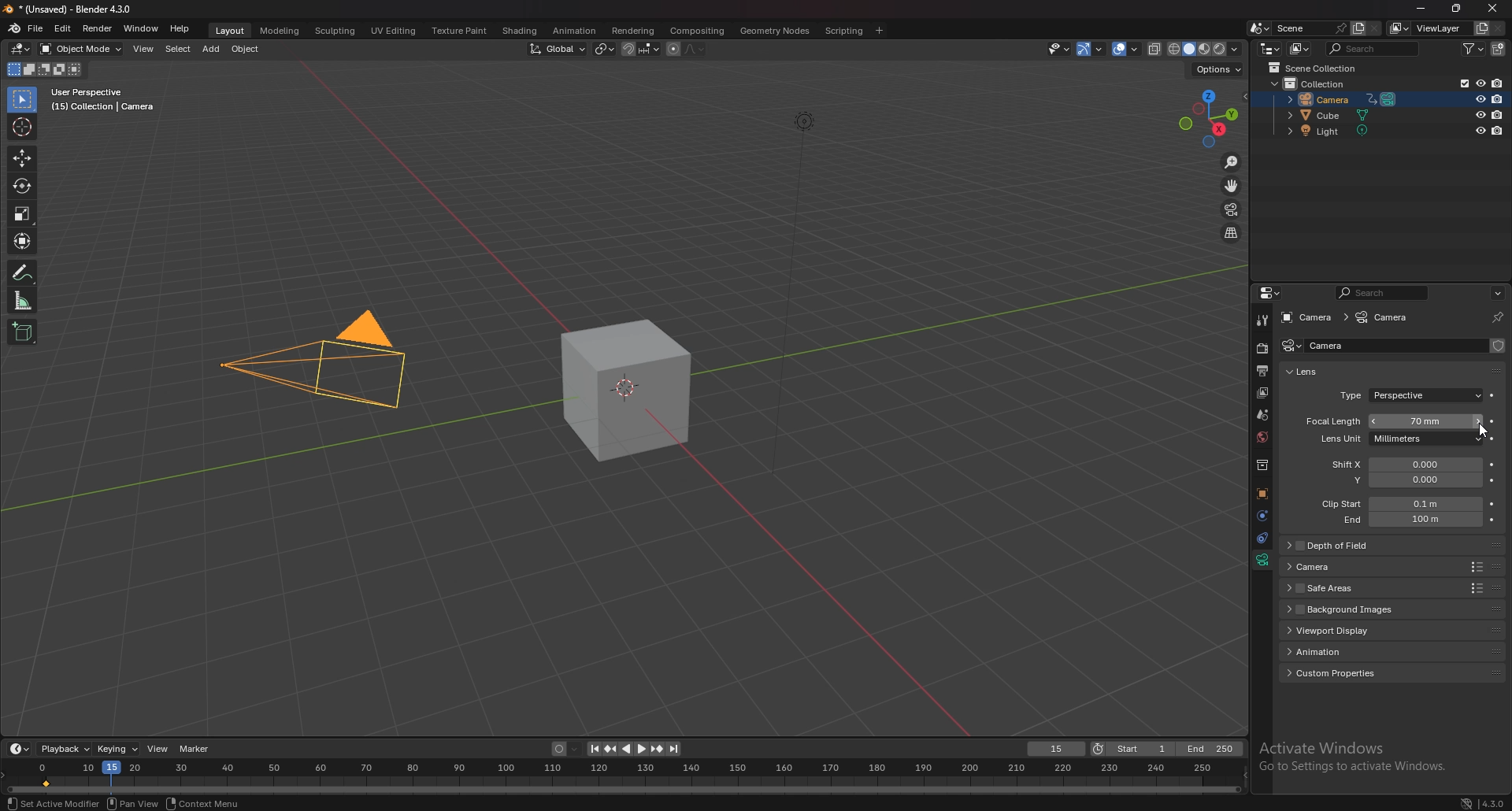 This screenshot has width=1512, height=811. What do you see at coordinates (16, 28) in the screenshot?
I see `blender` at bounding box center [16, 28].